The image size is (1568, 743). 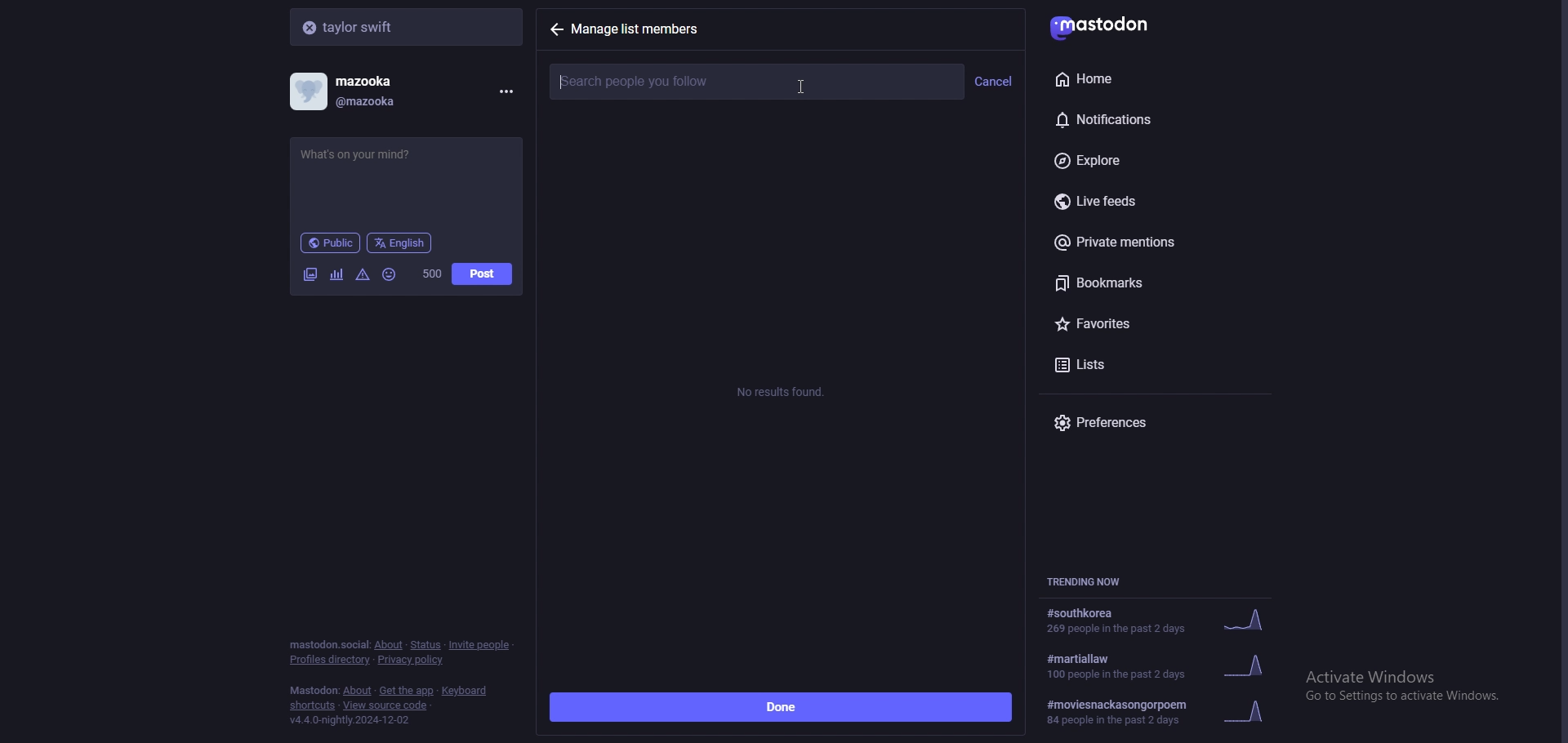 What do you see at coordinates (503, 91) in the screenshot?
I see `menu` at bounding box center [503, 91].